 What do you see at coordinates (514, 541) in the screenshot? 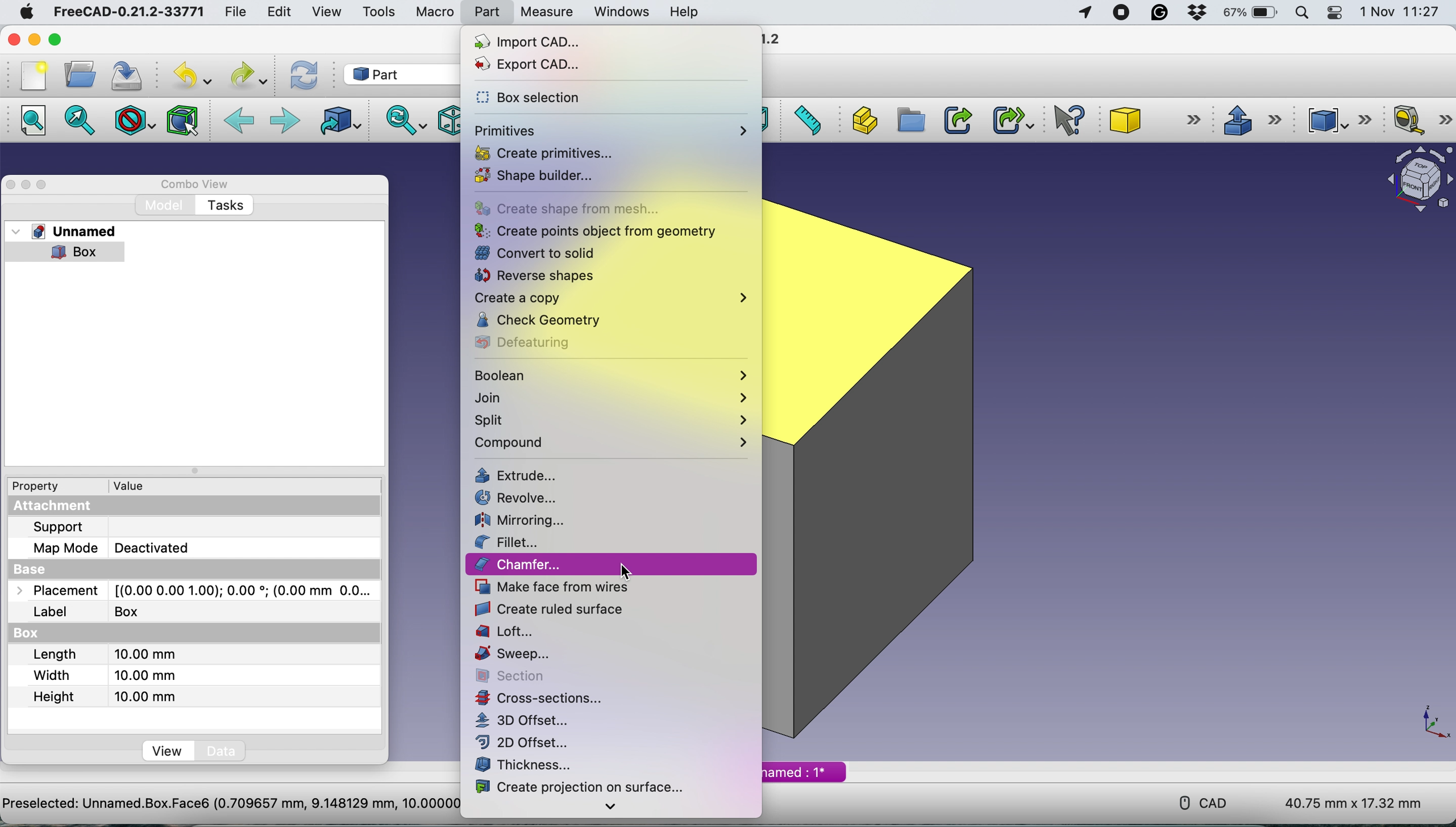
I see `fillet` at bounding box center [514, 541].